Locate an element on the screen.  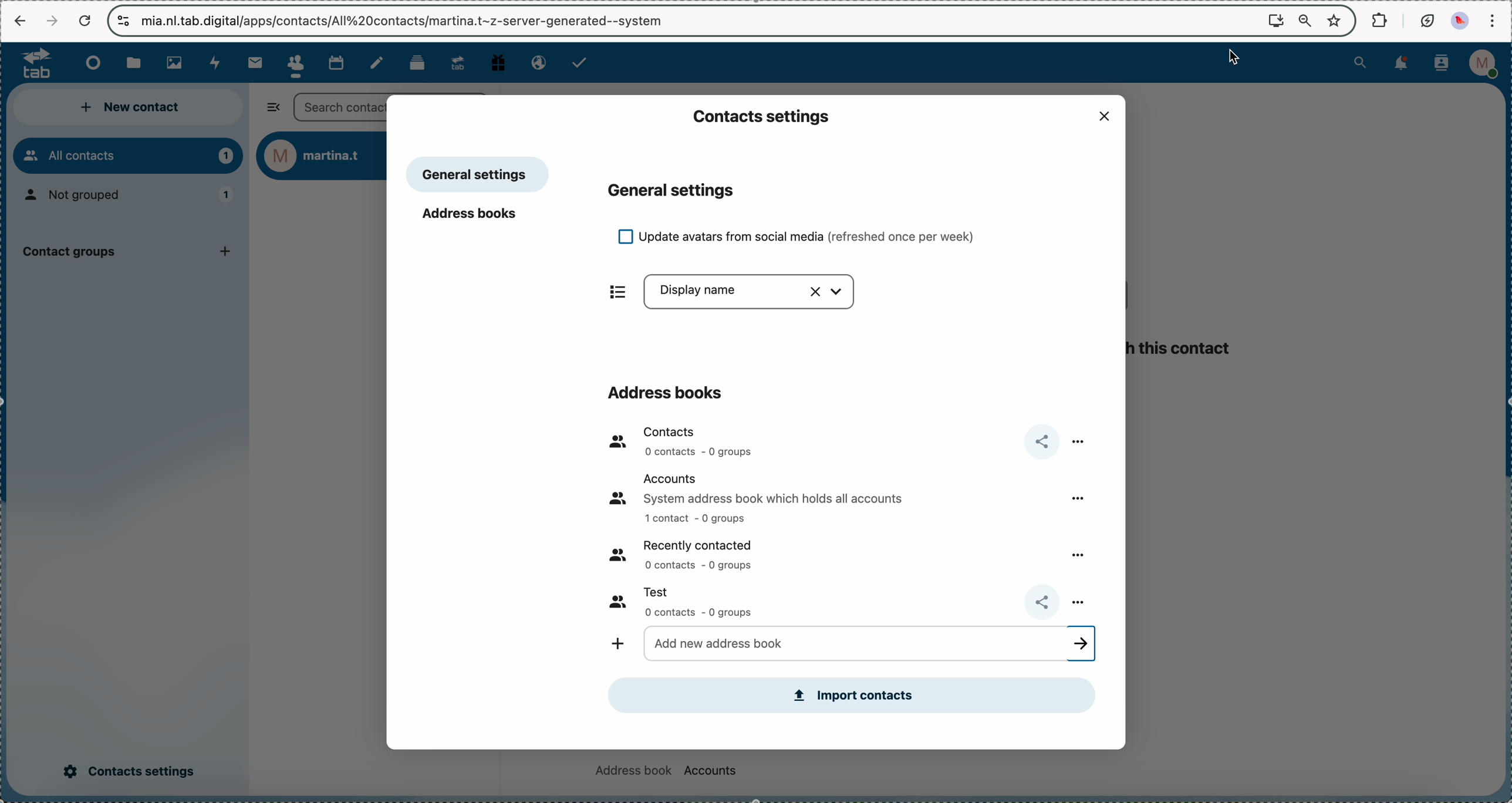
more options is located at coordinates (1074, 554).